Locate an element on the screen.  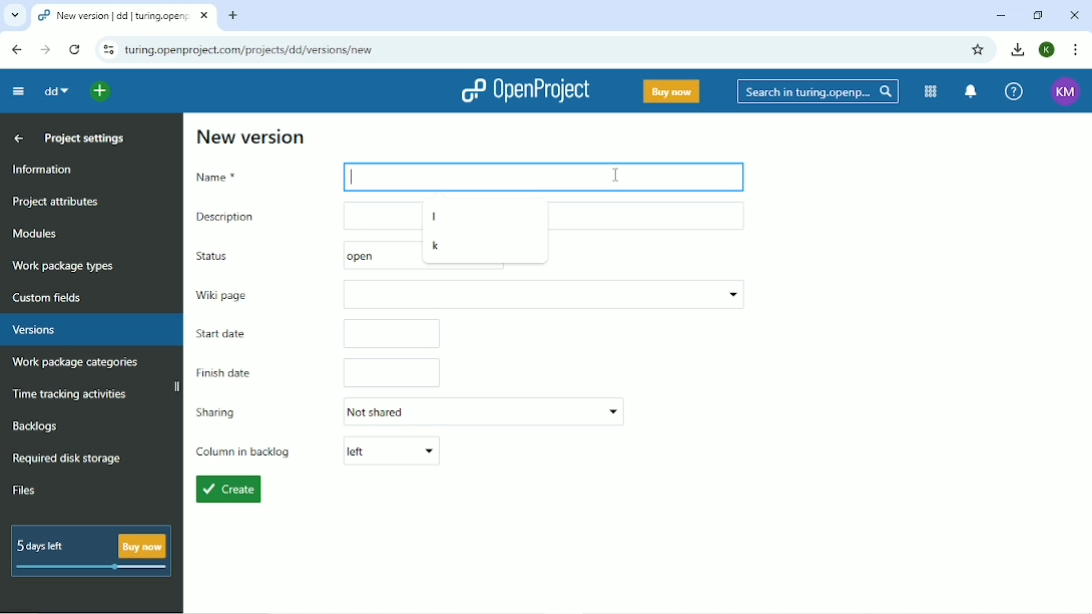
Time tracking activities is located at coordinates (70, 393).